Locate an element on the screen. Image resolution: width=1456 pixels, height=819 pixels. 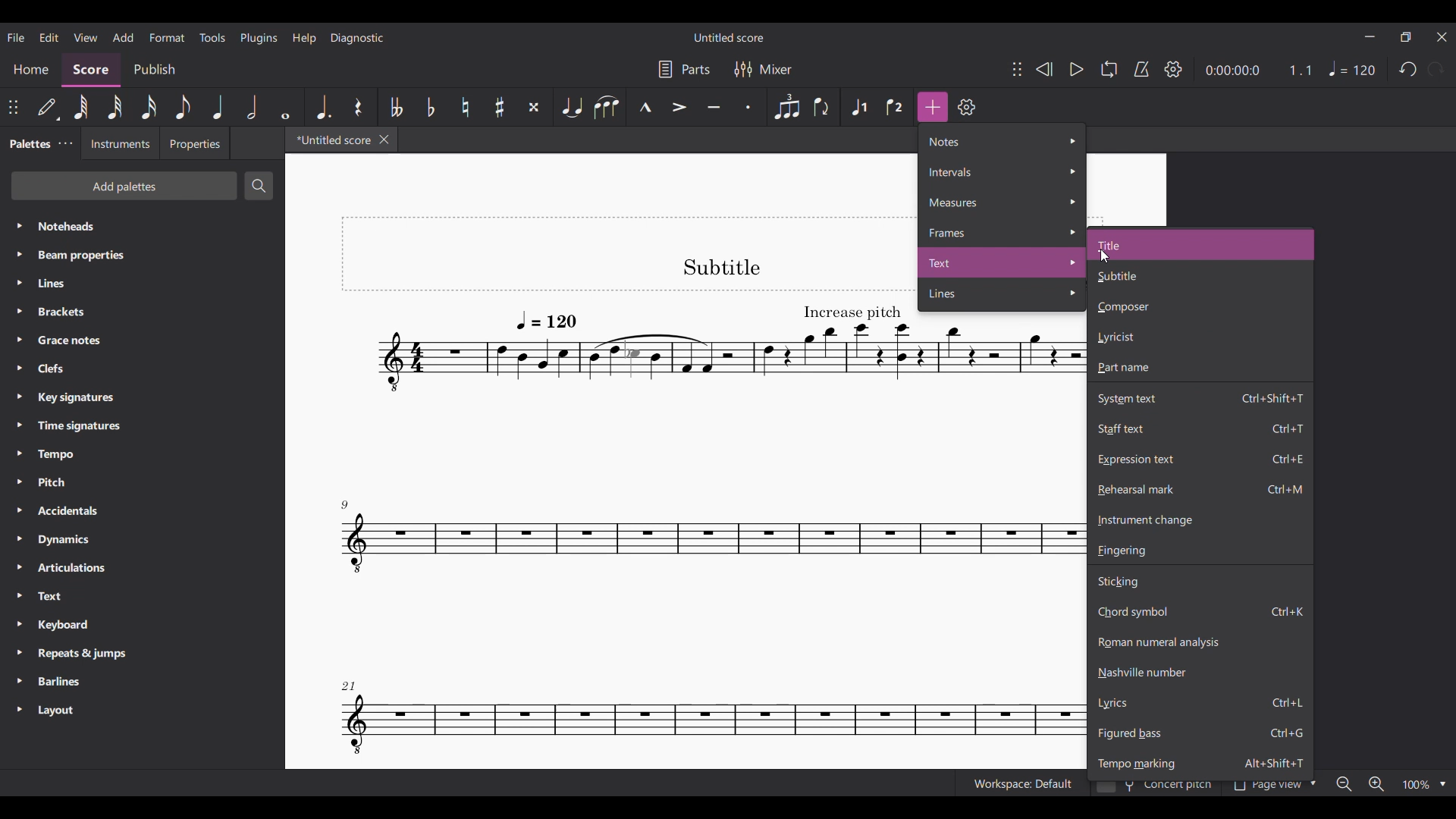
Toggle flat is located at coordinates (431, 107).